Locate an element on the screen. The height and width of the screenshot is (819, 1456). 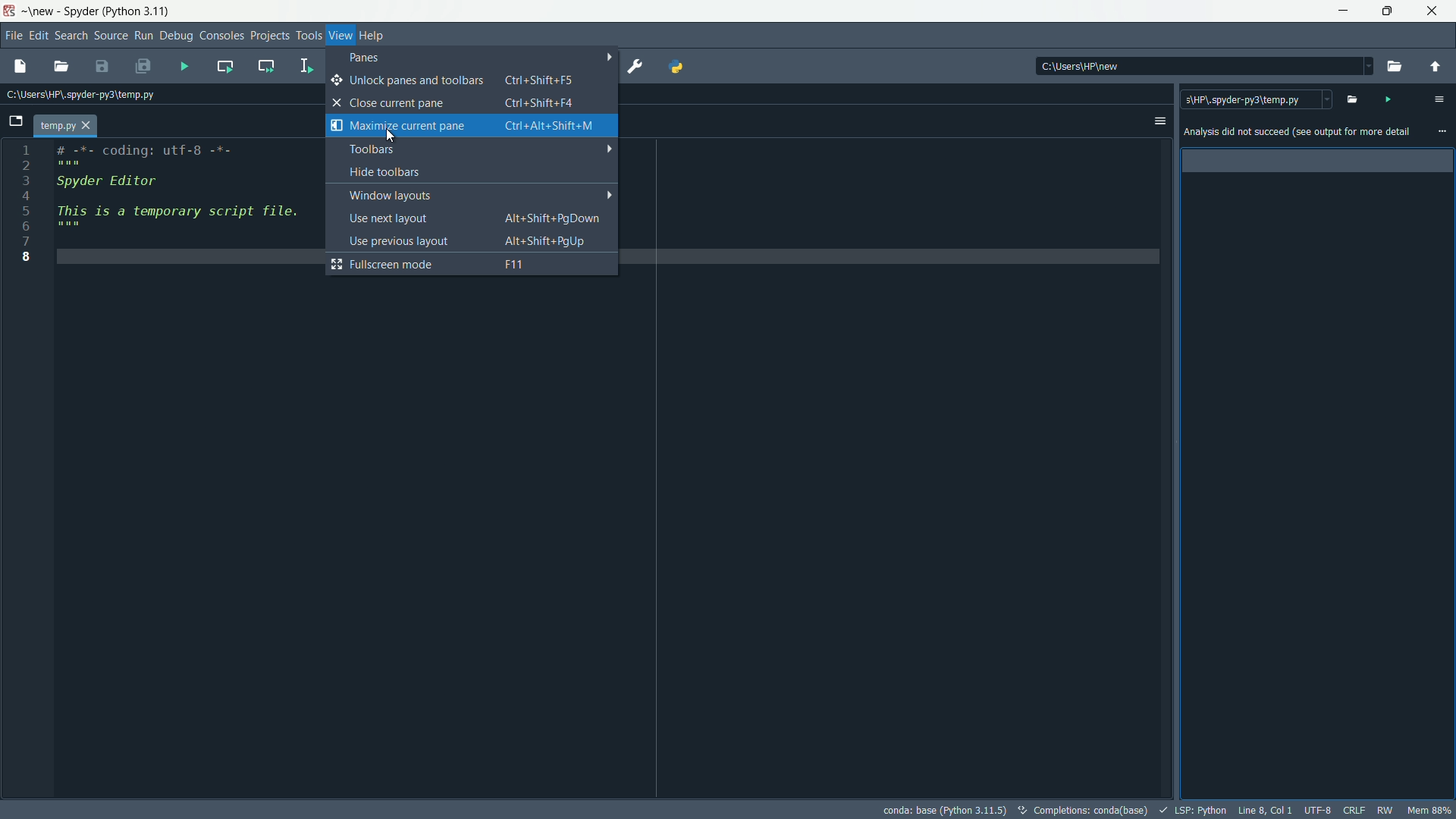
5 is located at coordinates (28, 211).